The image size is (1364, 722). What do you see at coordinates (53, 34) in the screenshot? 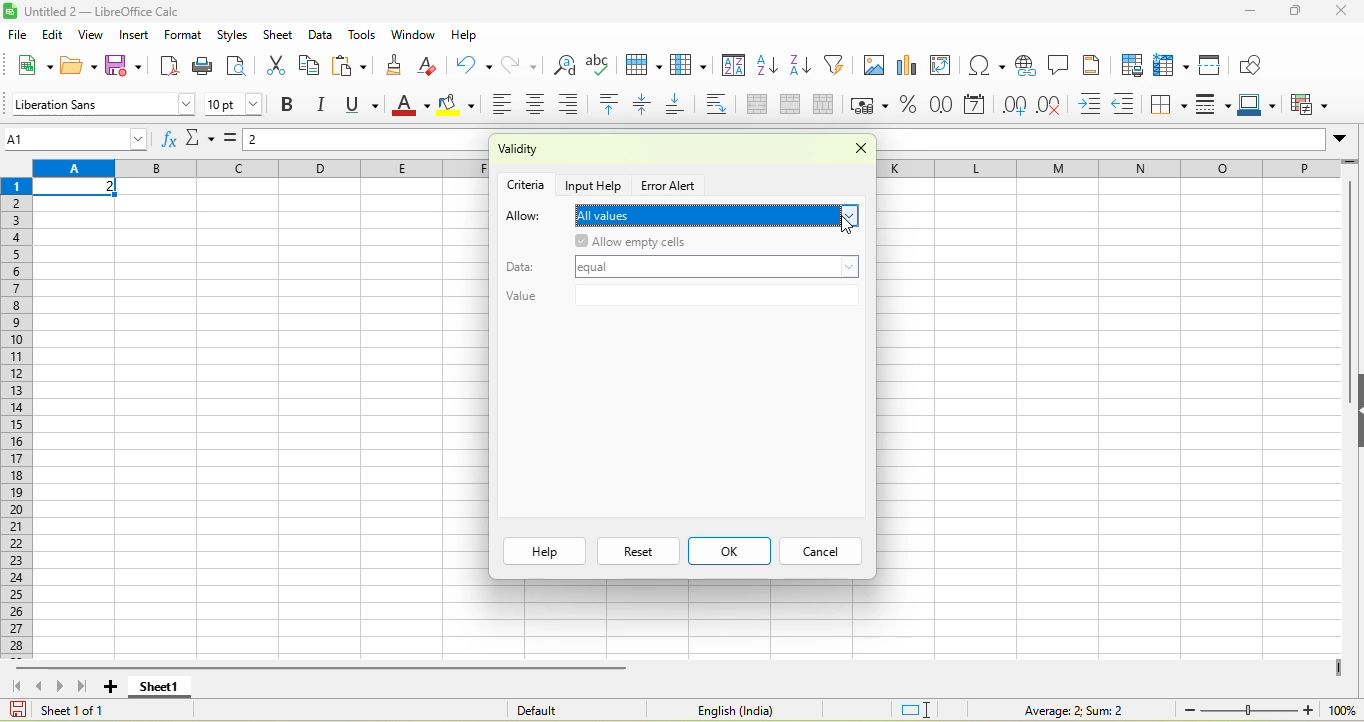
I see `edit` at bounding box center [53, 34].